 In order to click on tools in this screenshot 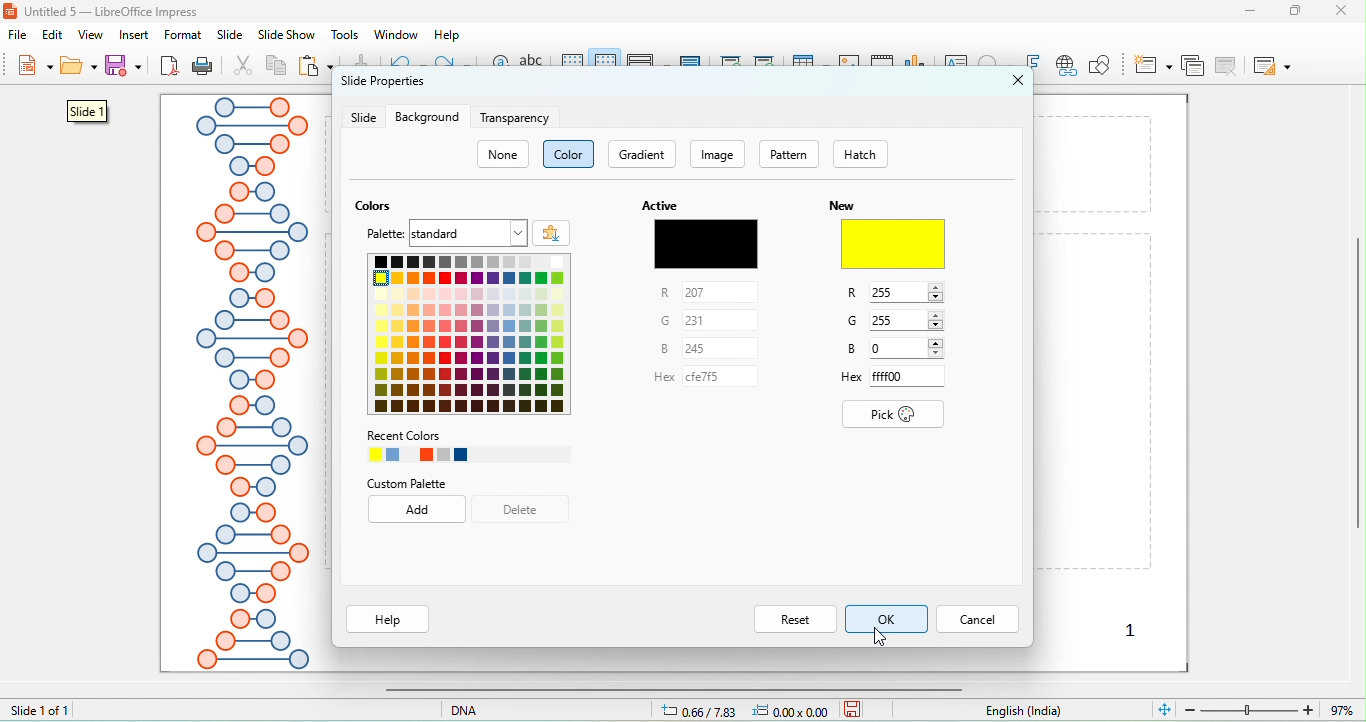, I will do `click(346, 35)`.